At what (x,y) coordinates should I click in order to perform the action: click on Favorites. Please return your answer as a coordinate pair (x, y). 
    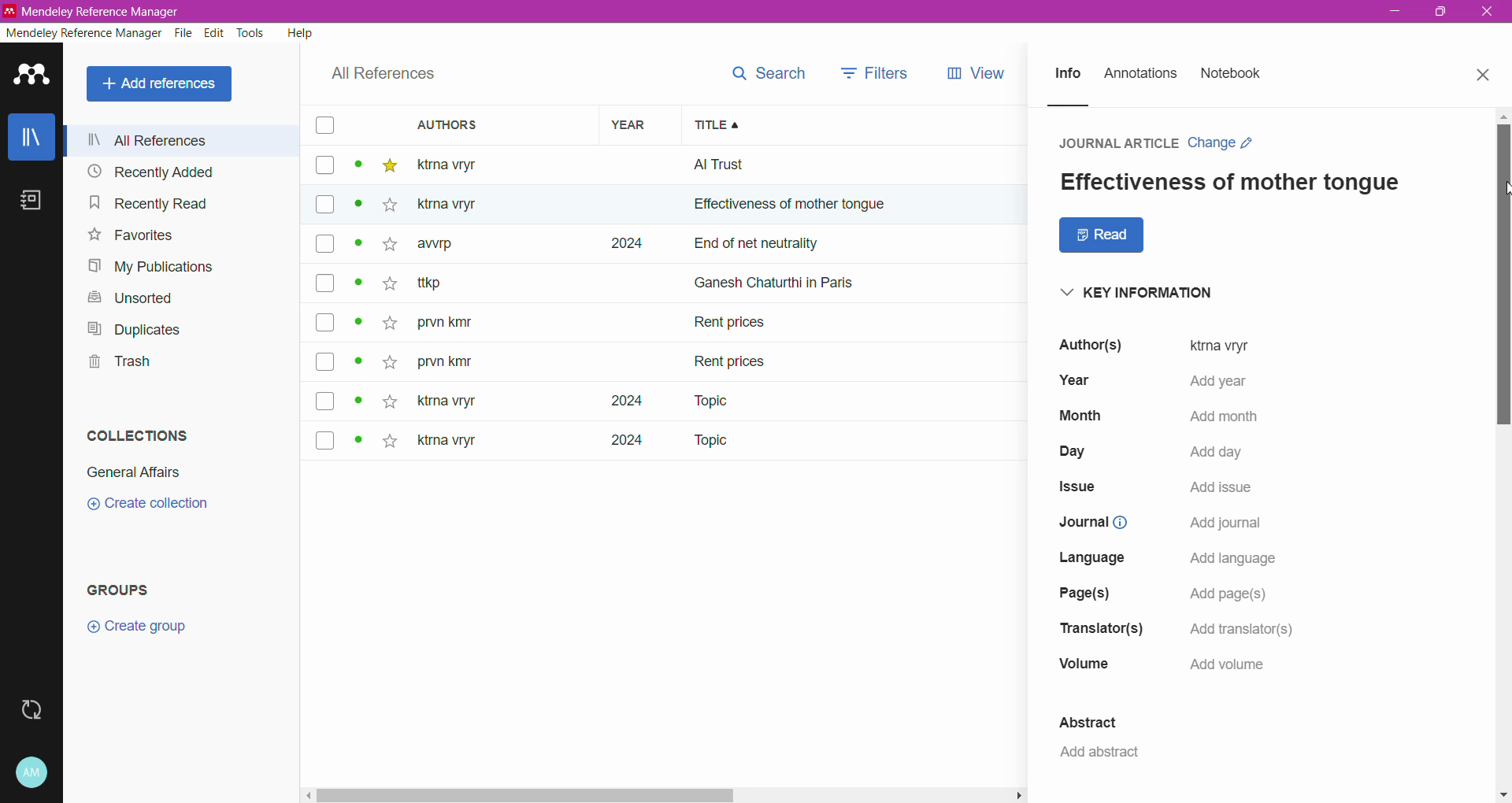
    Looking at the image, I should click on (132, 235).